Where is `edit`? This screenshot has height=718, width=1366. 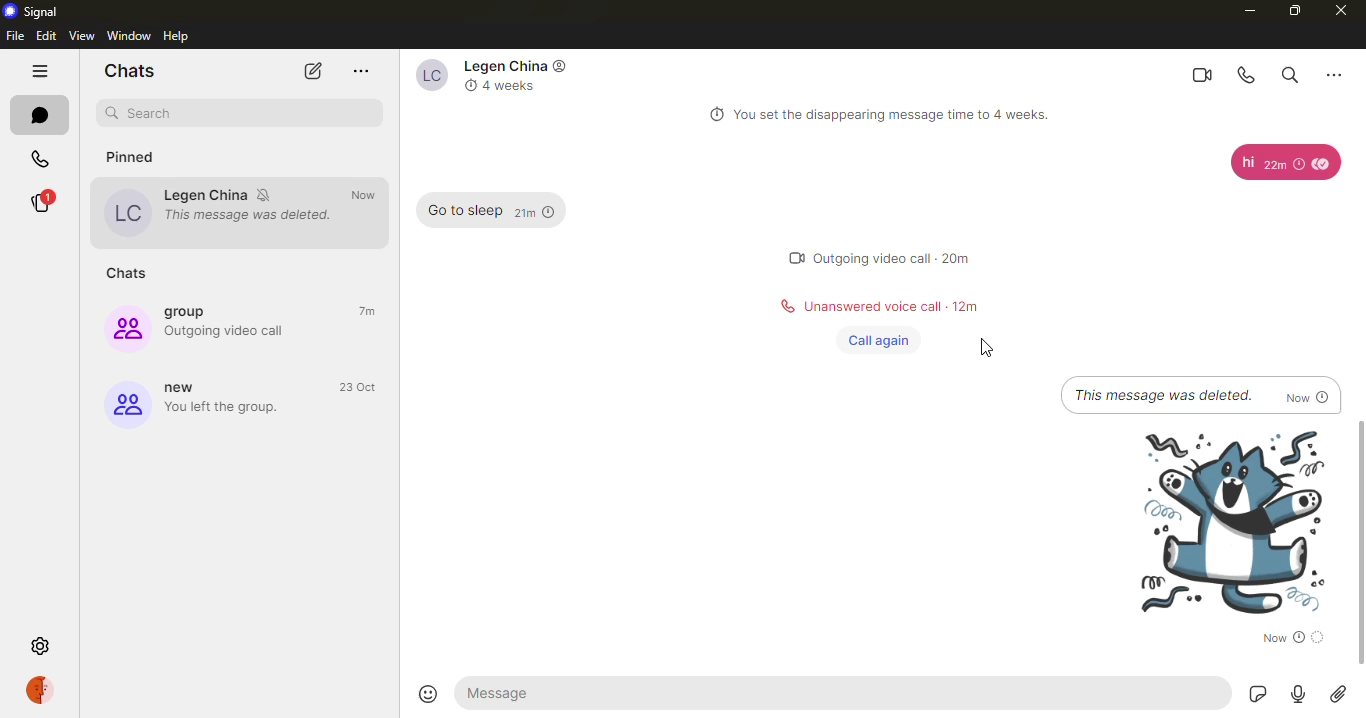 edit is located at coordinates (46, 36).